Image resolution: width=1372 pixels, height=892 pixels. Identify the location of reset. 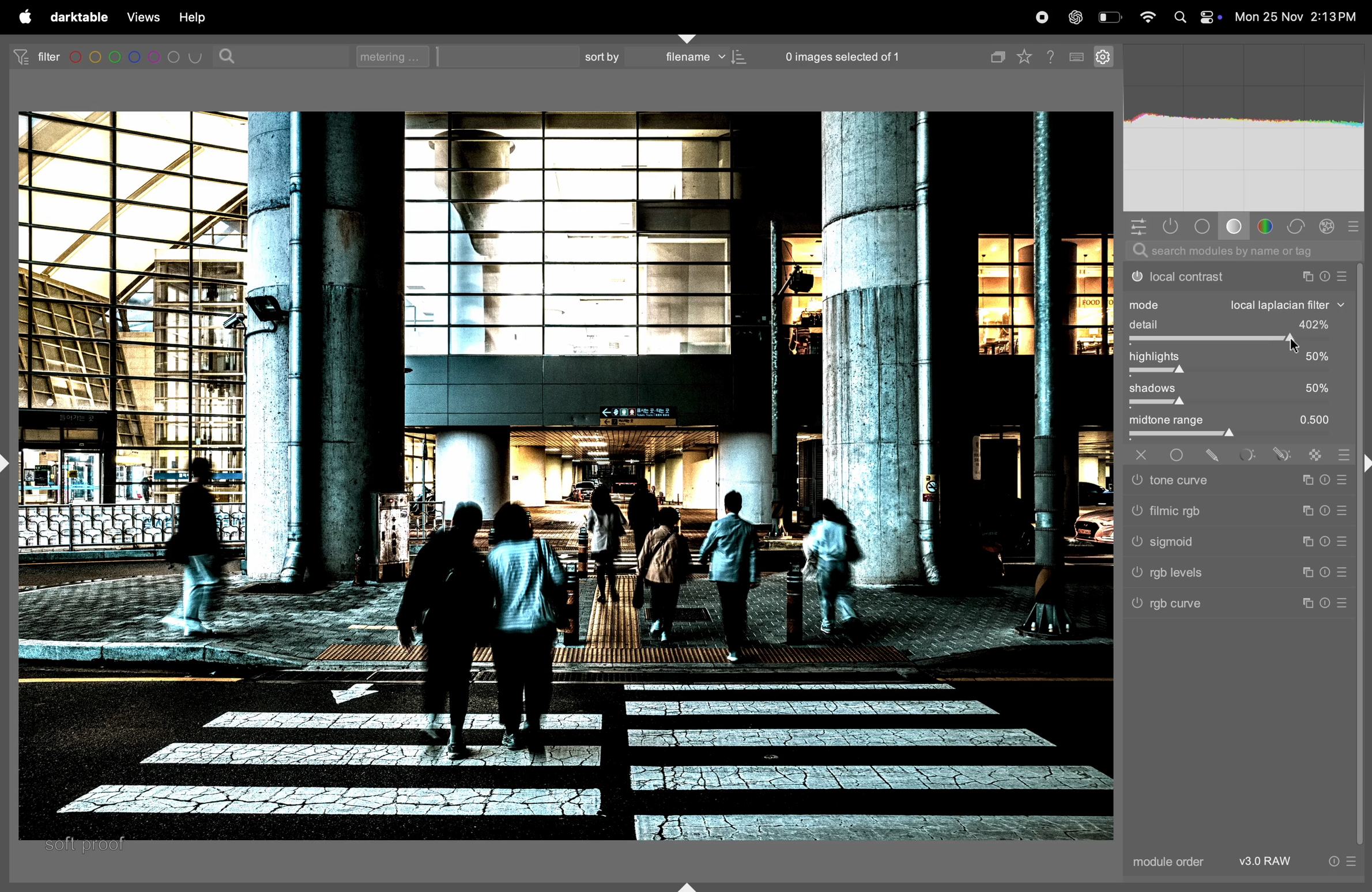
(1325, 478).